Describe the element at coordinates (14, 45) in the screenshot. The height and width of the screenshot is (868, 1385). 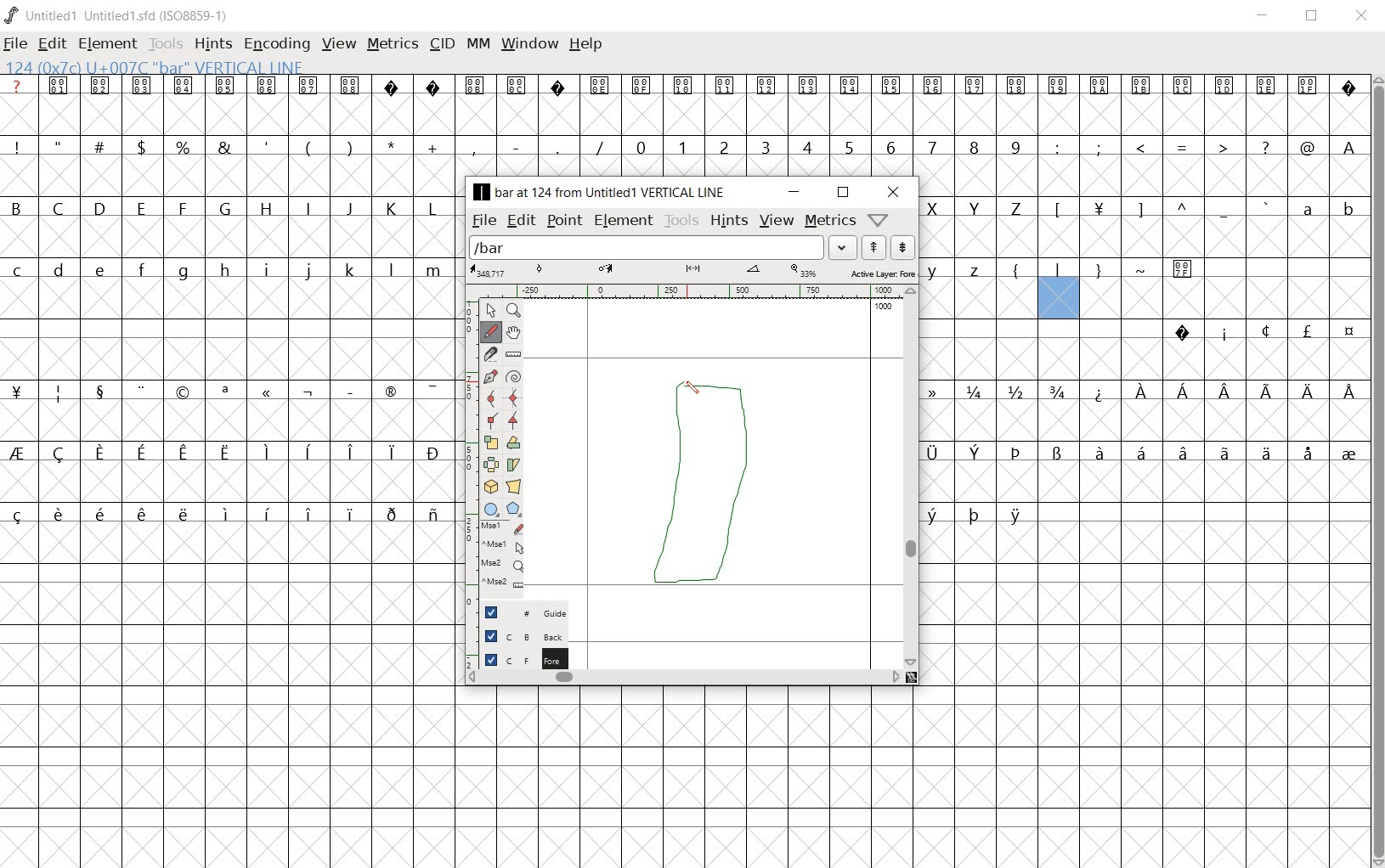
I see `file` at that location.